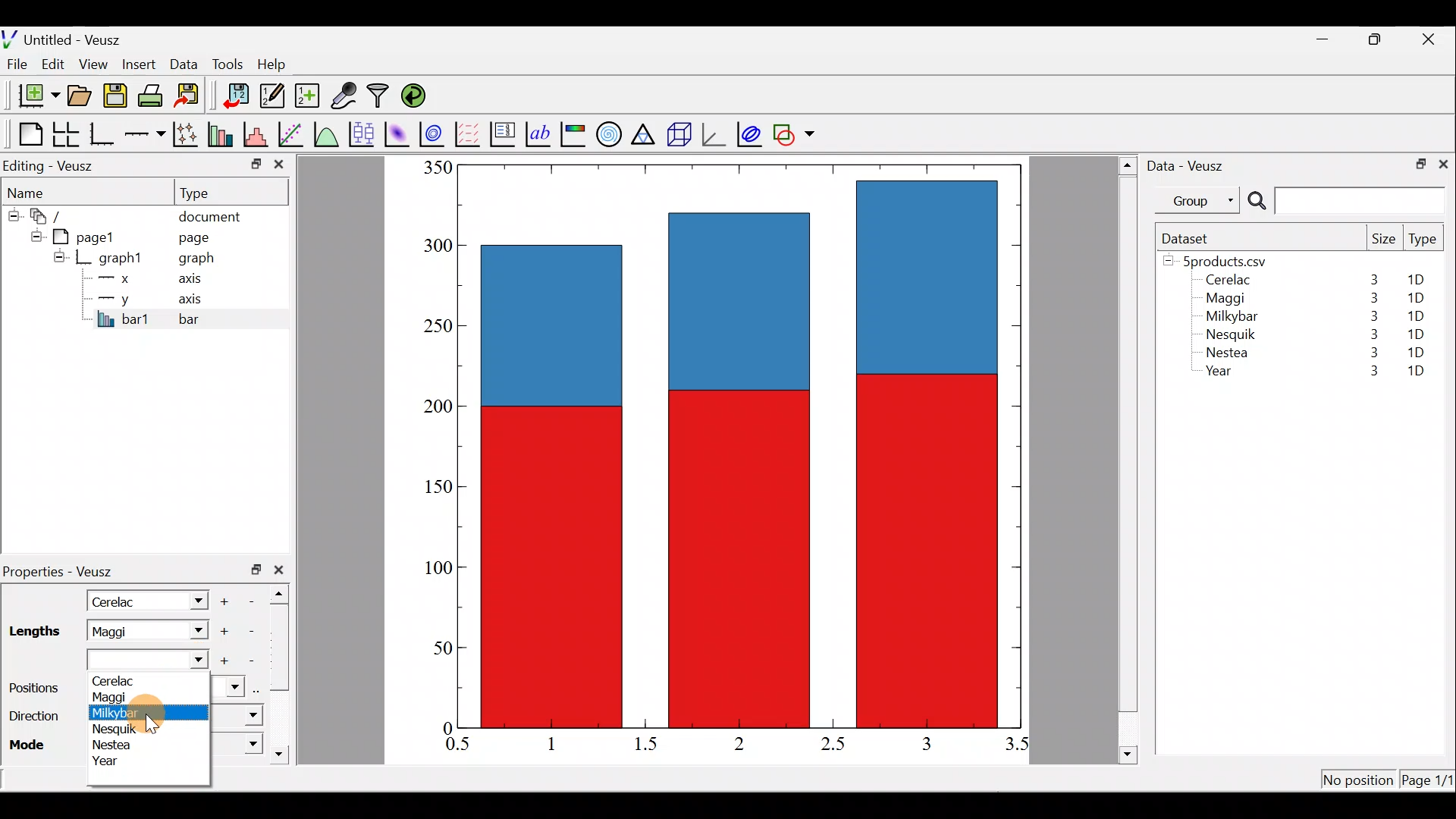  I want to click on 50, so click(431, 651).